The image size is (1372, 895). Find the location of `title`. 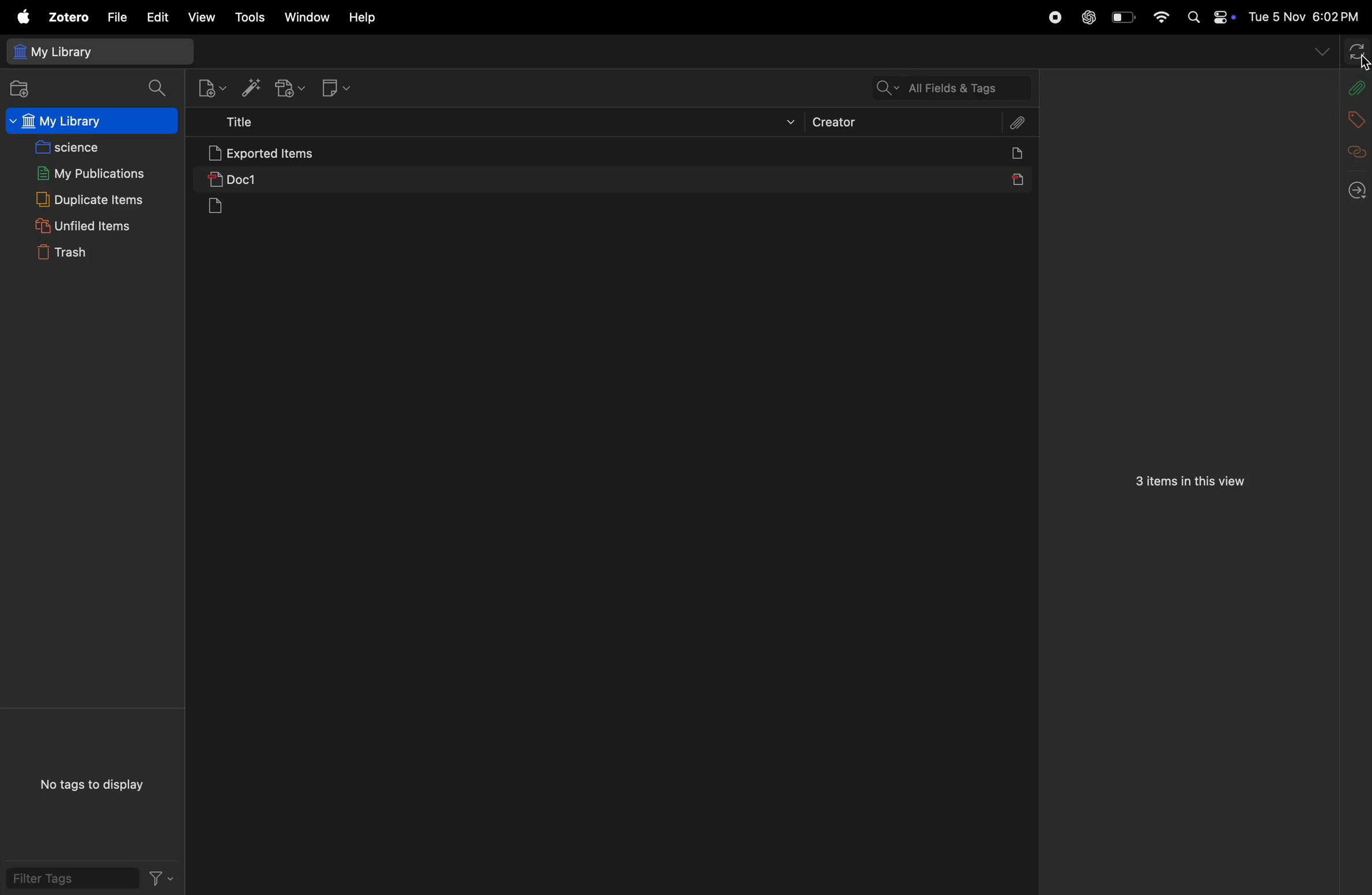

title is located at coordinates (489, 122).